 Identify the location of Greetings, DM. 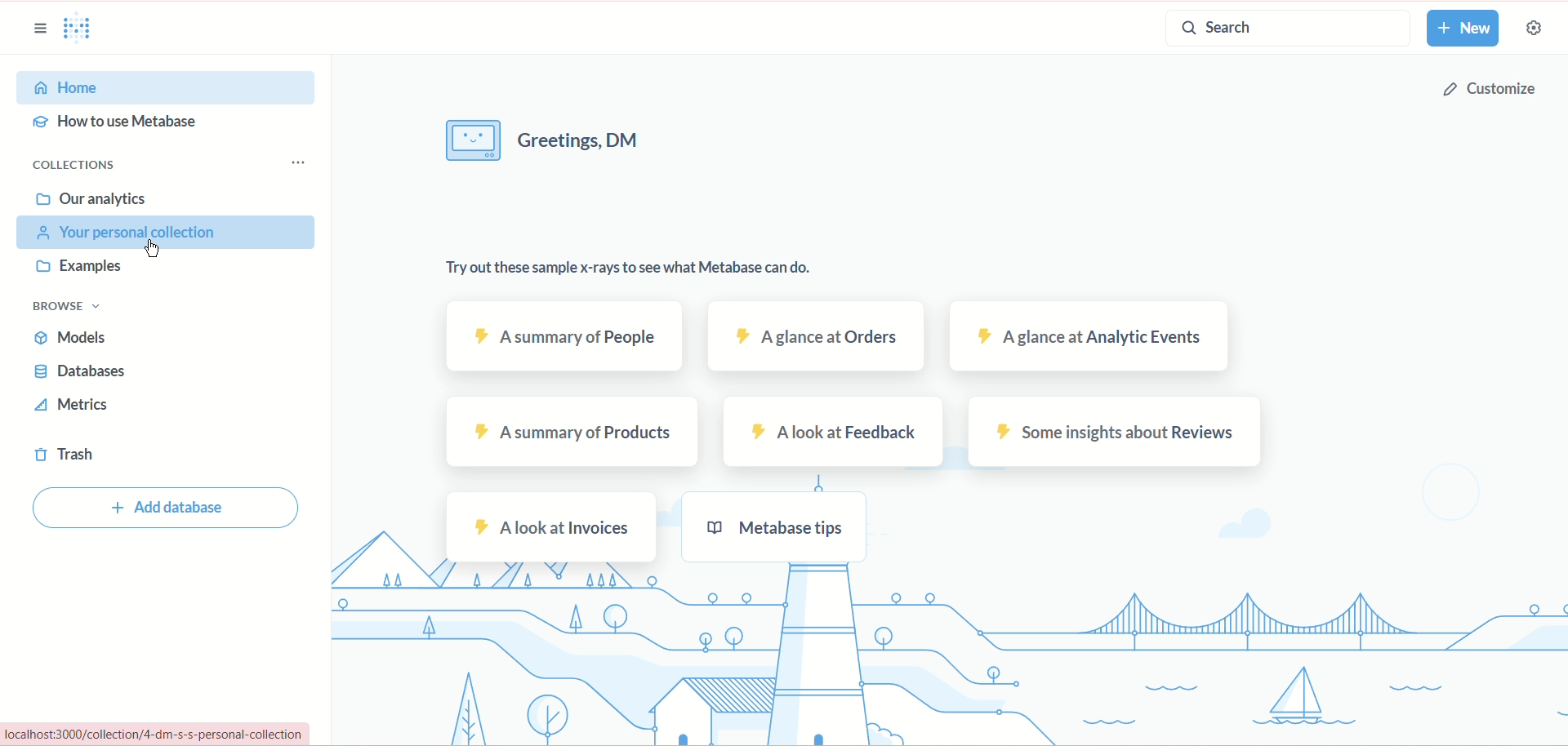
(584, 140).